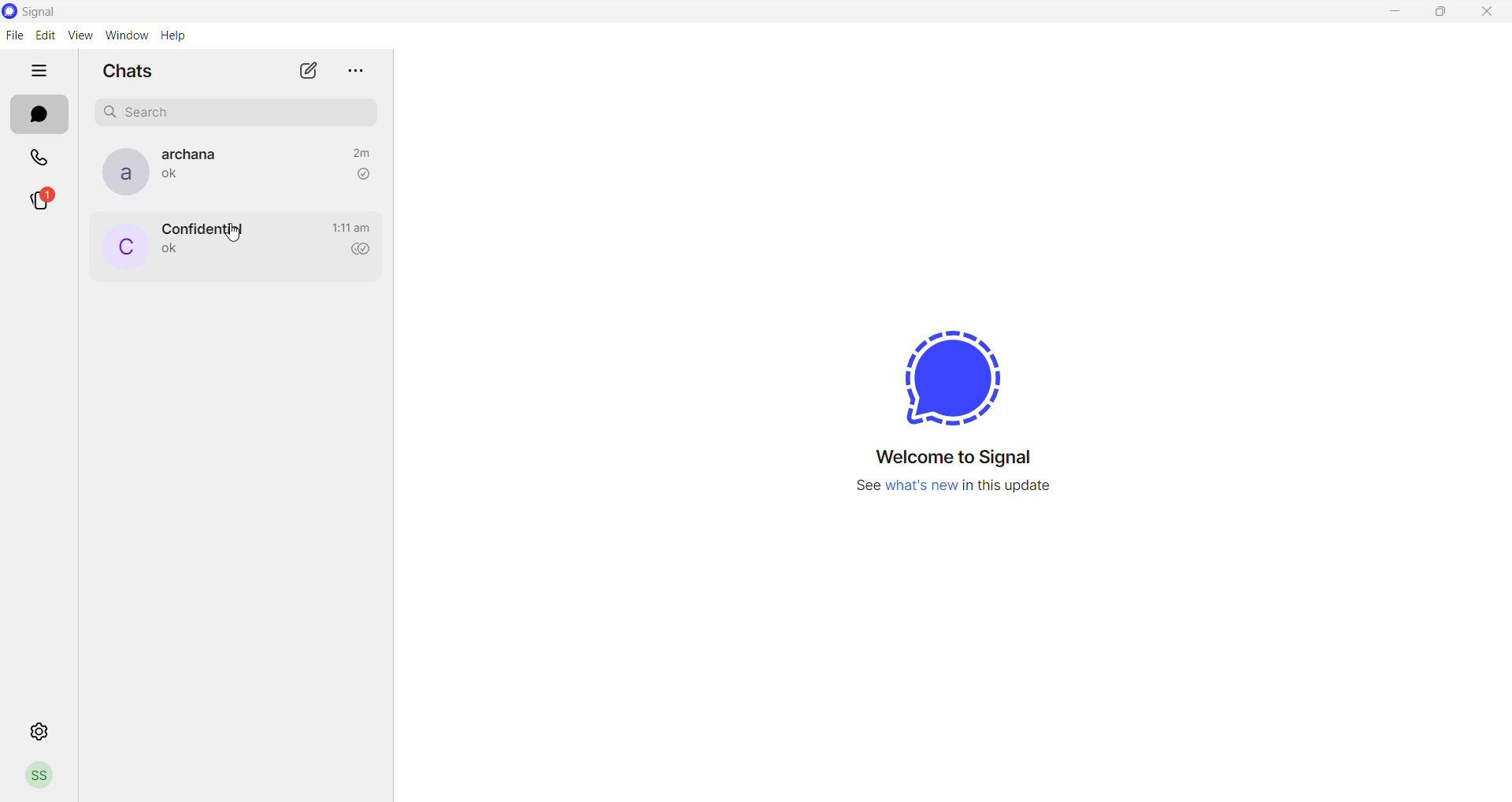  Describe the element at coordinates (351, 228) in the screenshot. I see `last message time` at that location.